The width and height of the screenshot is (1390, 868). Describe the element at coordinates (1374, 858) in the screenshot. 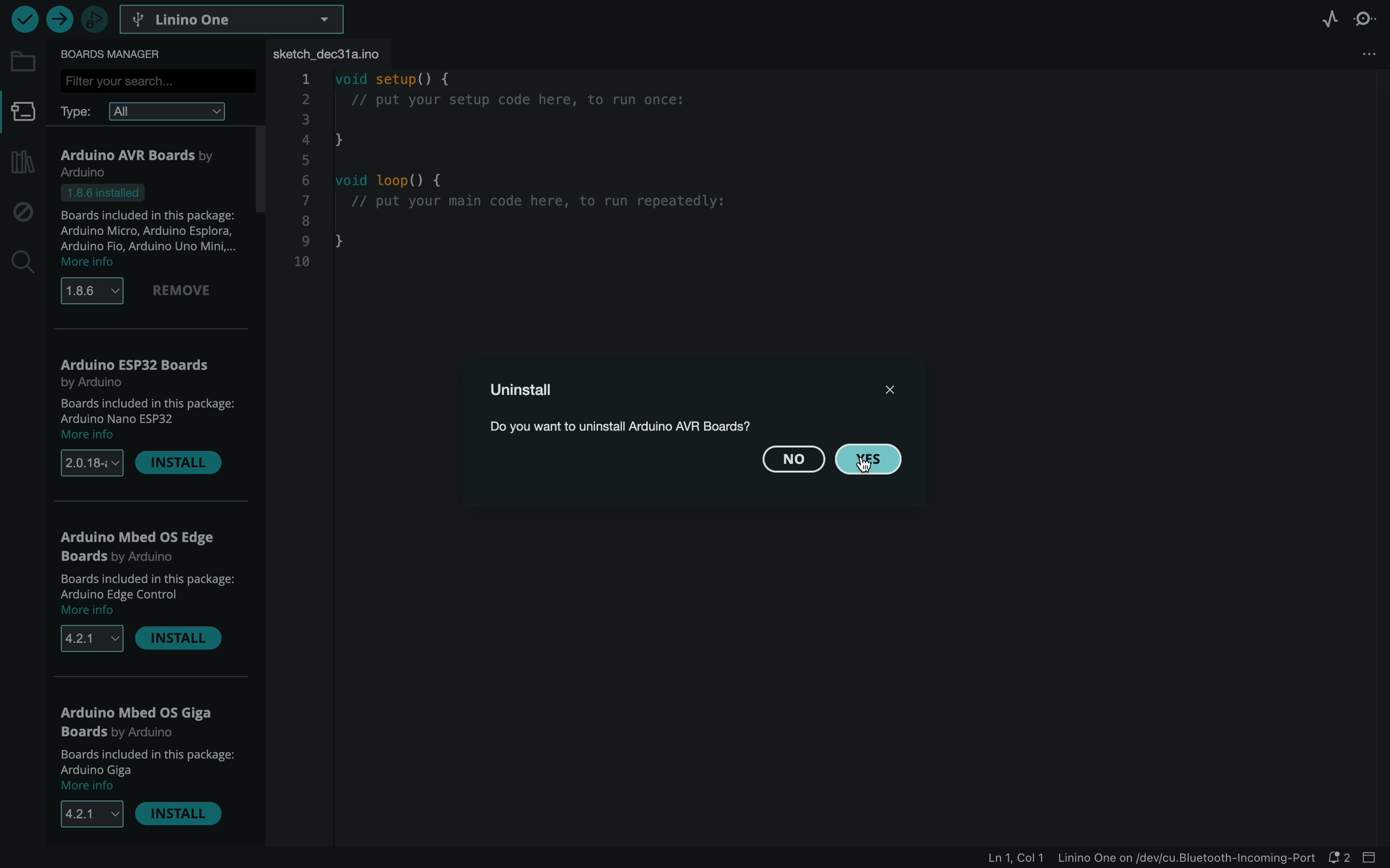

I see `close bar` at that location.